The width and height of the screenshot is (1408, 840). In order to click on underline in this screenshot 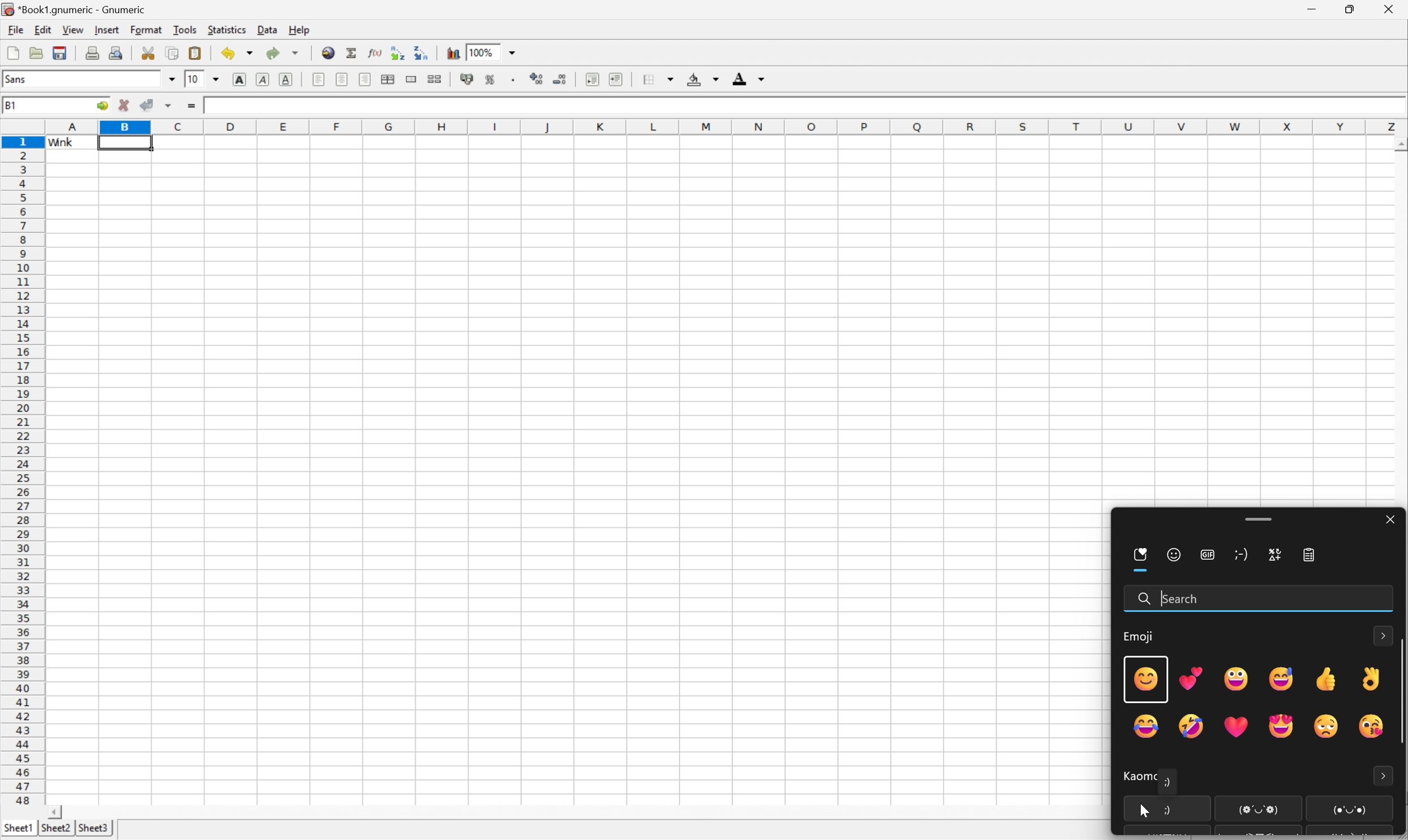, I will do `click(286, 78)`.